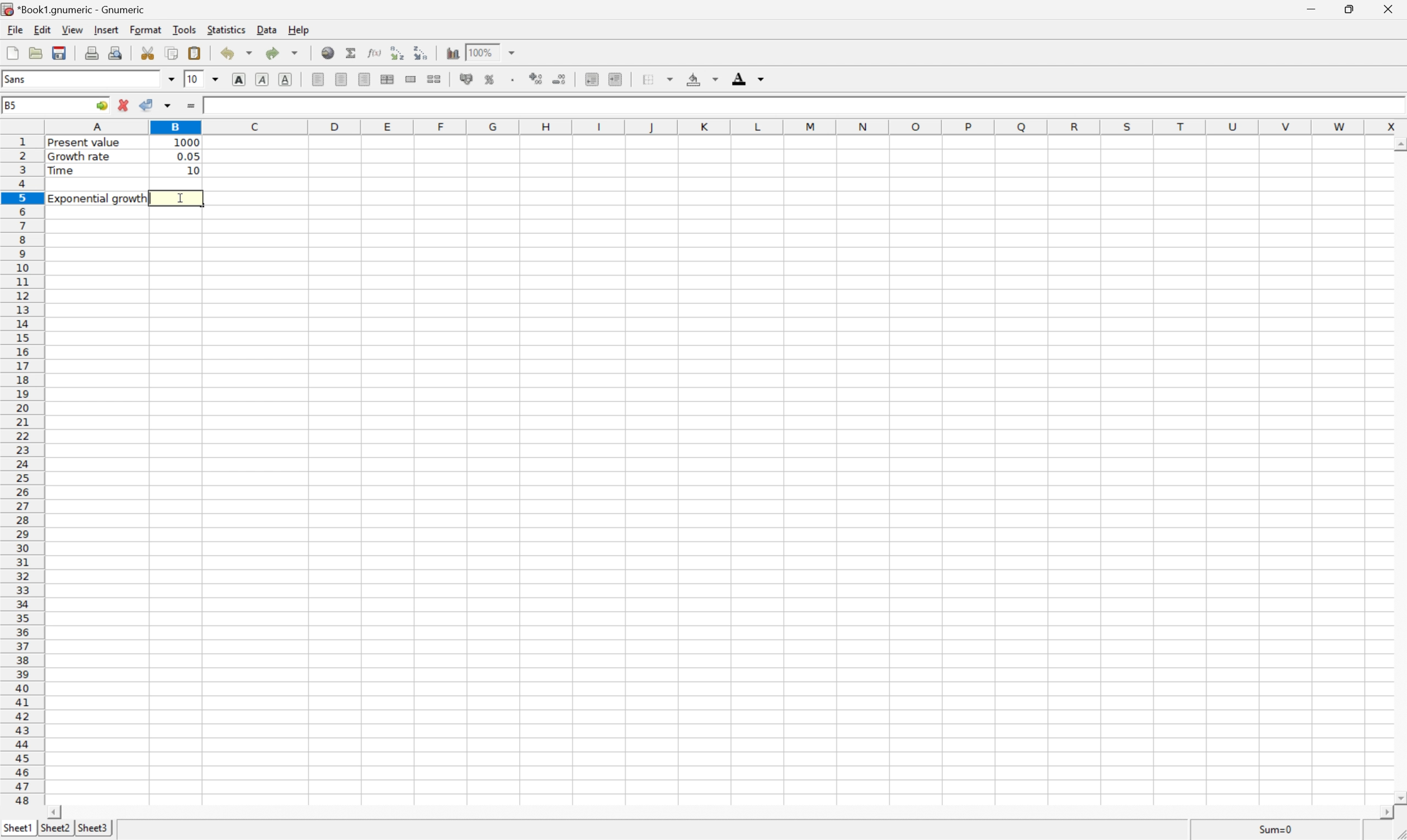 This screenshot has width=1407, height=840. I want to click on Sum=0, so click(1273, 829).